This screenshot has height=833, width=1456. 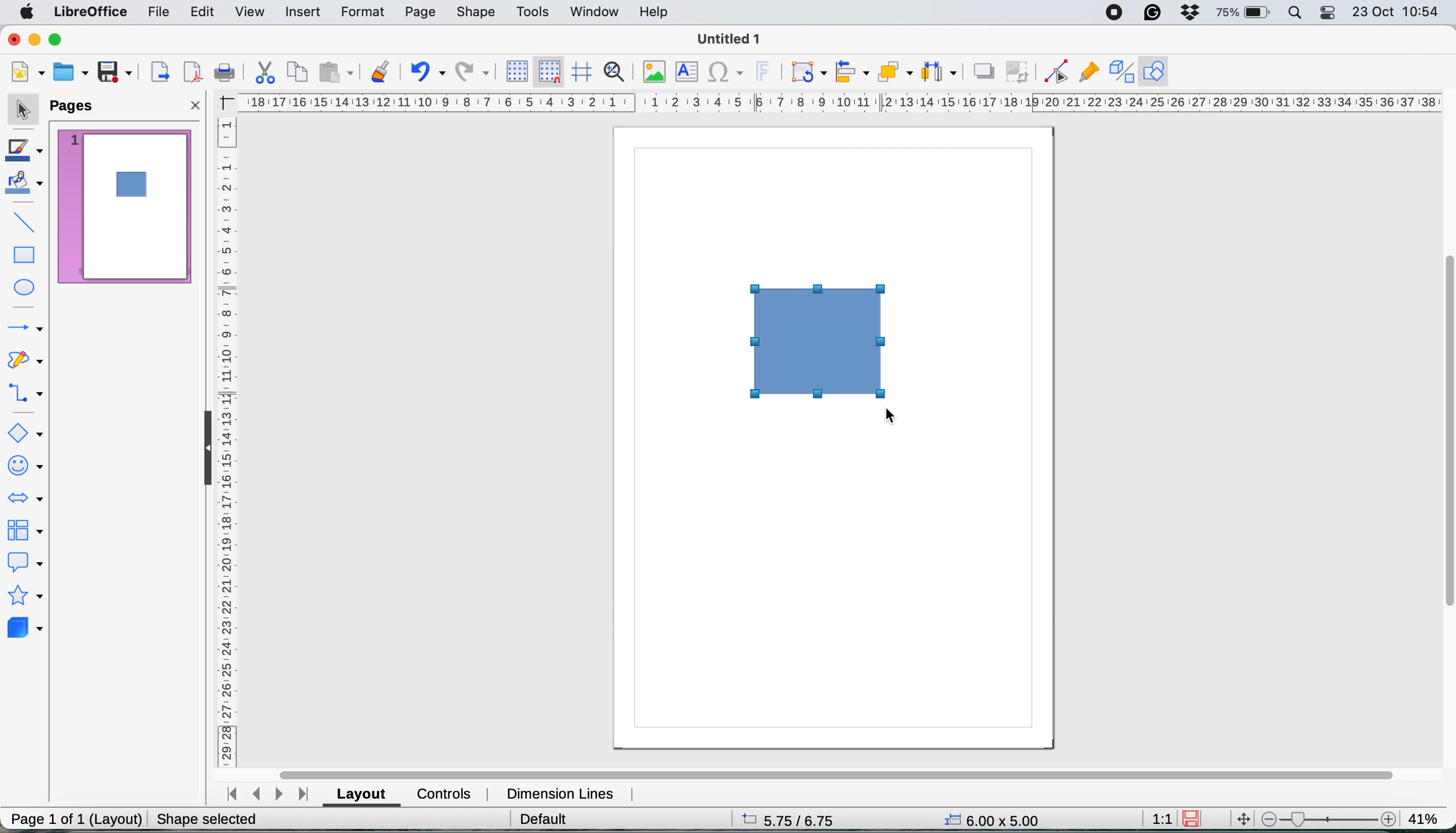 What do you see at coordinates (112, 72) in the screenshot?
I see `save` at bounding box center [112, 72].